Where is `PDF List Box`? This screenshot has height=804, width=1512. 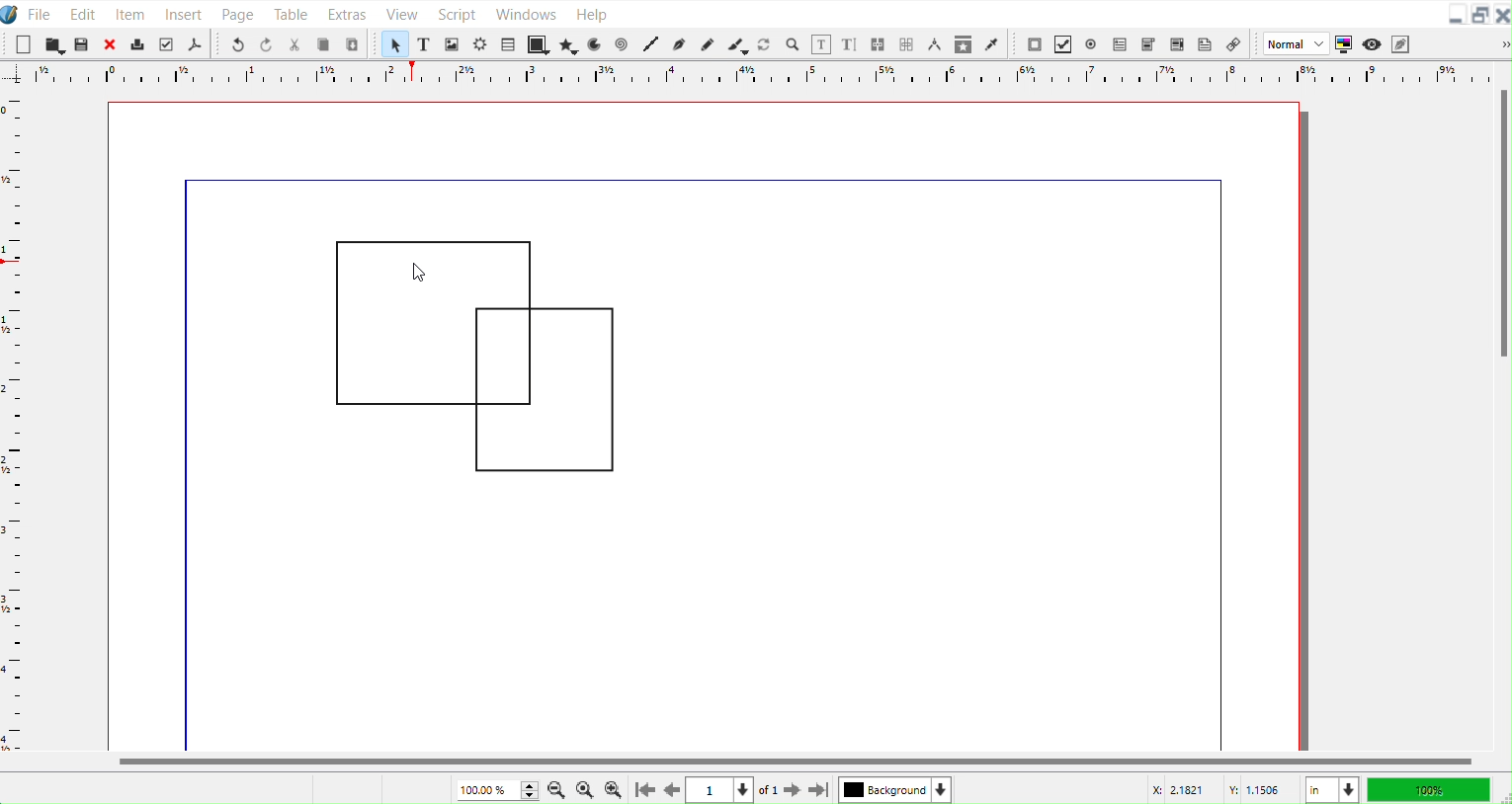 PDF List Box is located at coordinates (1176, 42).